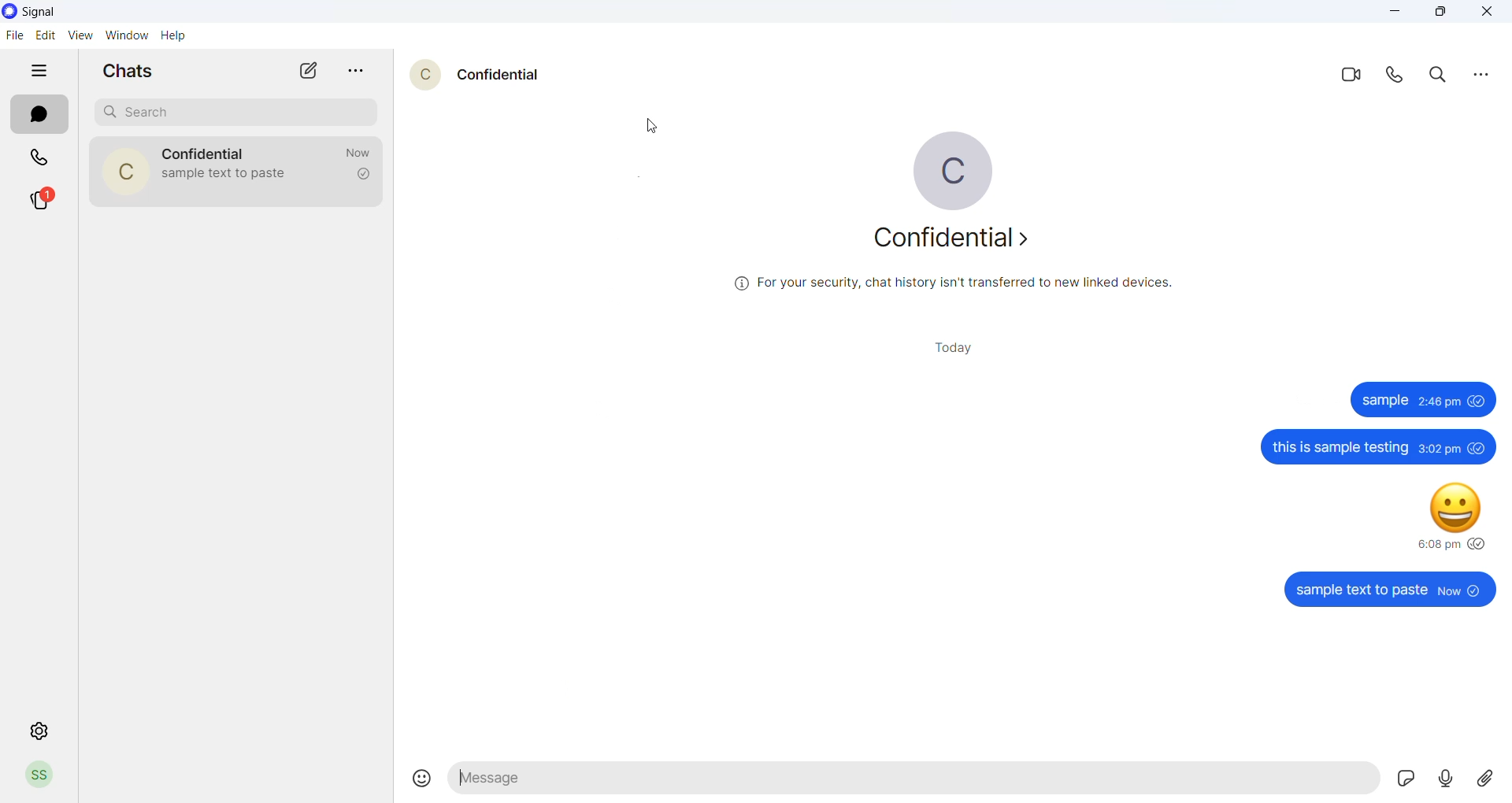  What do you see at coordinates (648, 126) in the screenshot?
I see `cursor` at bounding box center [648, 126].